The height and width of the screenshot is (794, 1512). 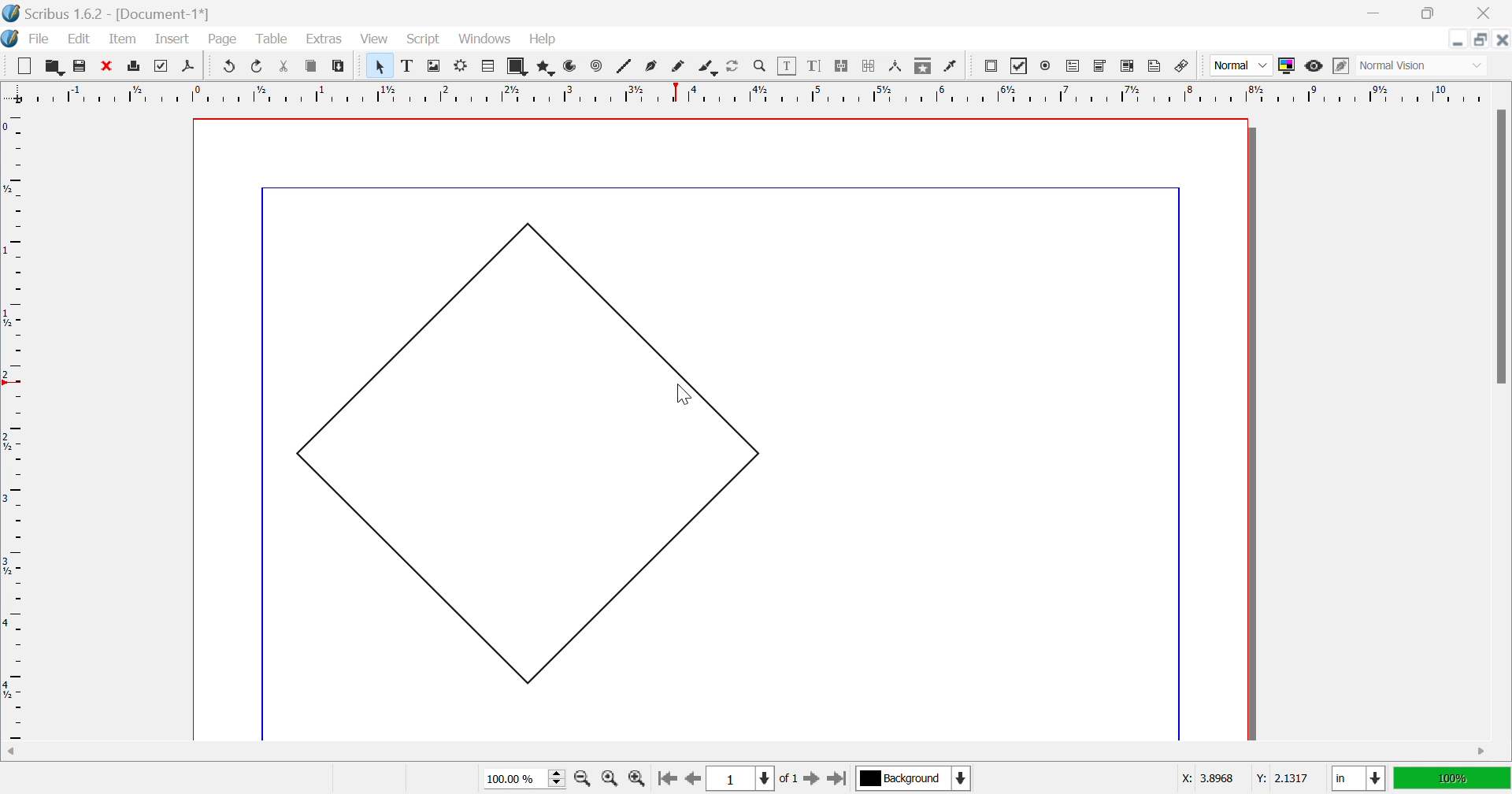 What do you see at coordinates (530, 453) in the screenshot?
I see `Shape` at bounding box center [530, 453].